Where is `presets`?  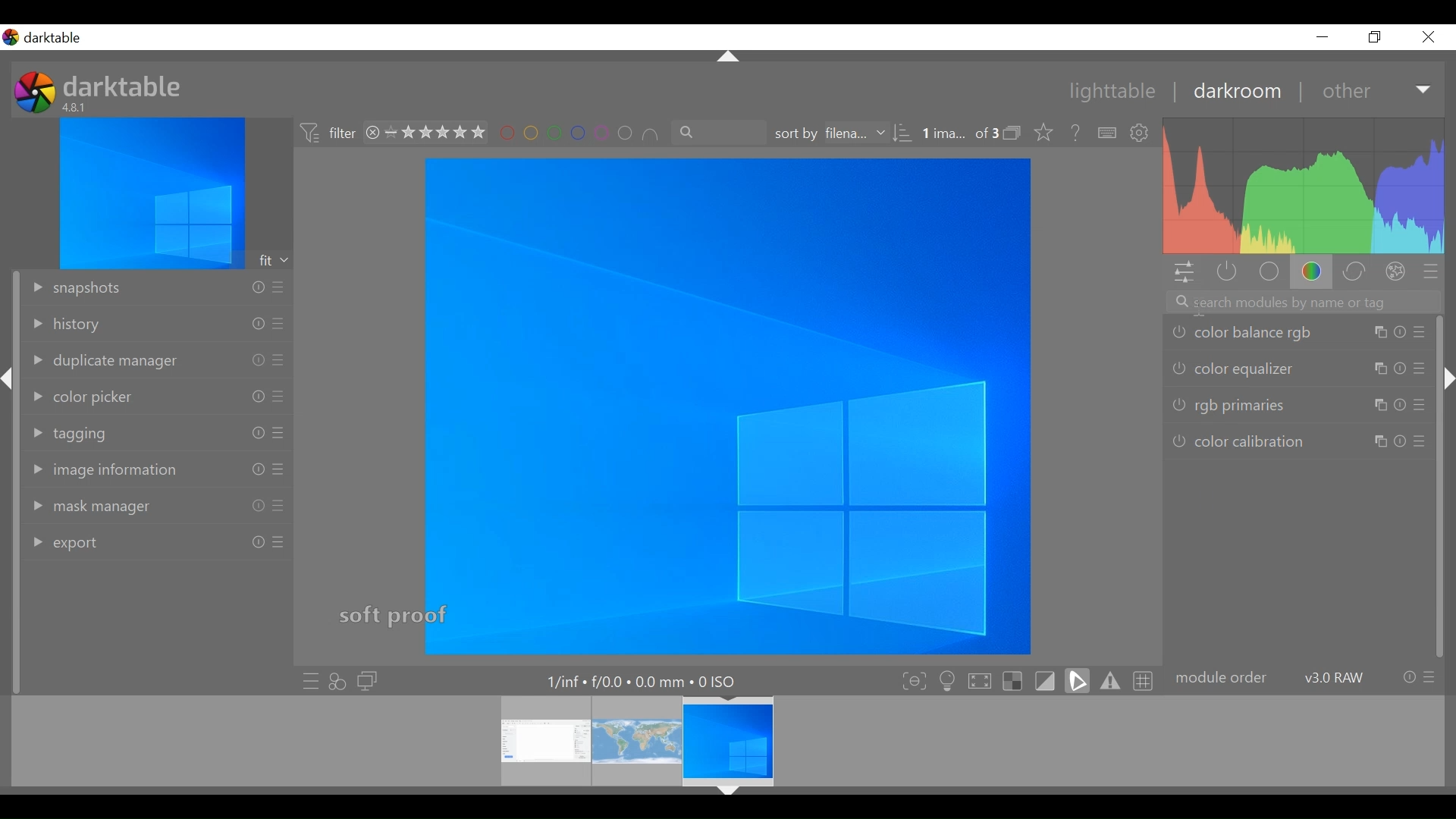
presets is located at coordinates (280, 469).